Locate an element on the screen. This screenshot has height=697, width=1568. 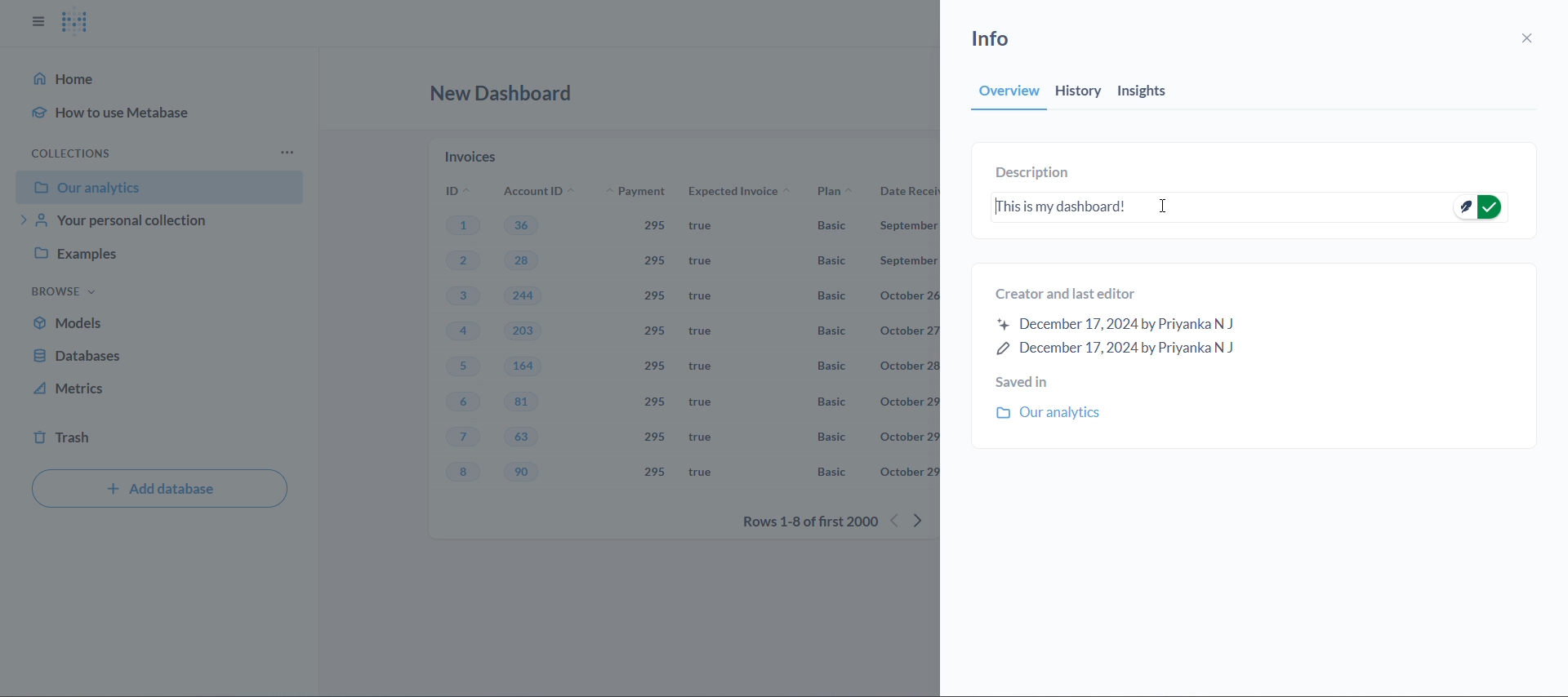
36 is located at coordinates (522, 224).